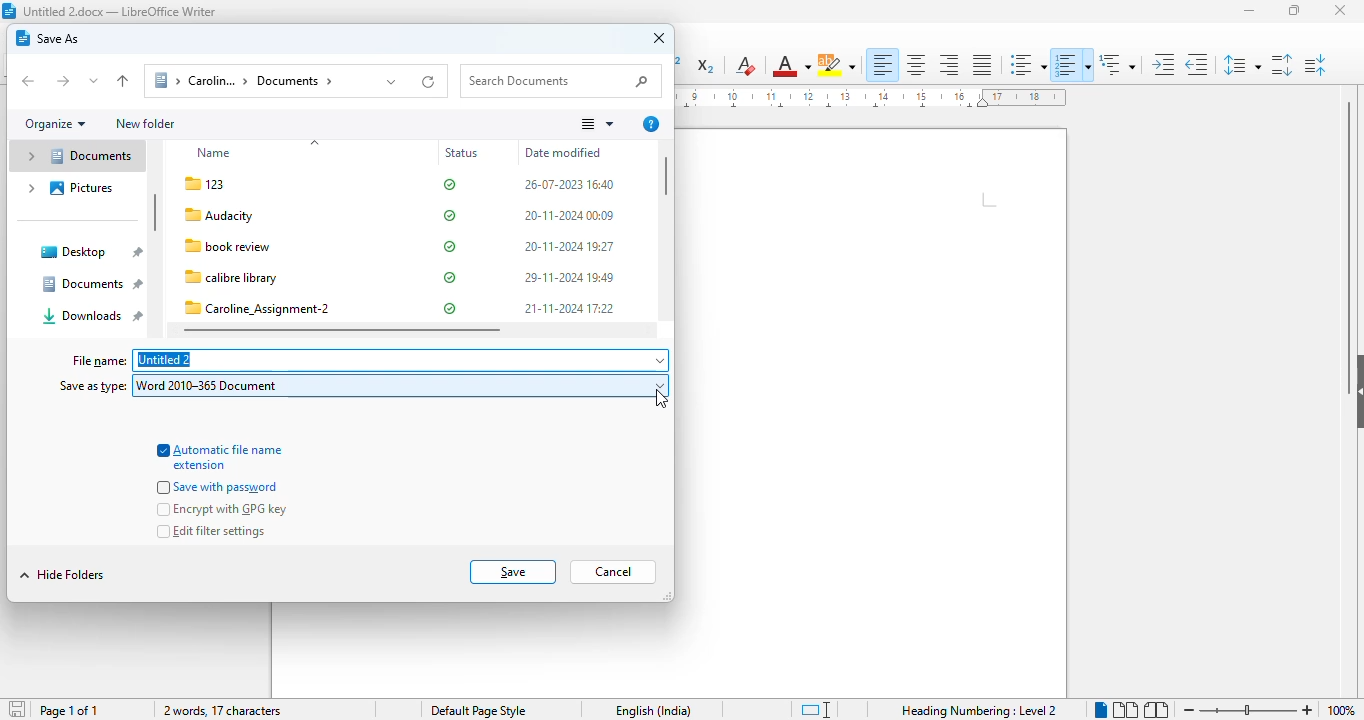 The image size is (1364, 720). I want to click on 2 words, 17 characters, so click(223, 711).